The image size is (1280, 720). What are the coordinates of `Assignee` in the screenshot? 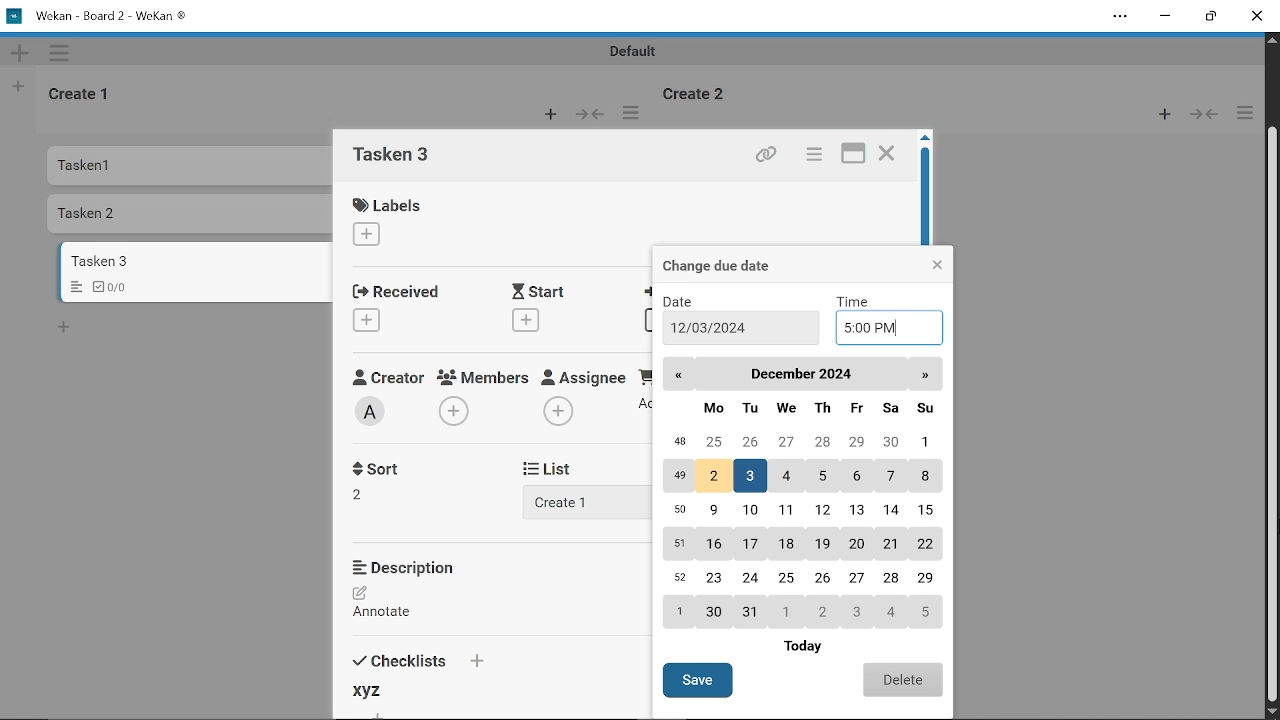 It's located at (584, 375).